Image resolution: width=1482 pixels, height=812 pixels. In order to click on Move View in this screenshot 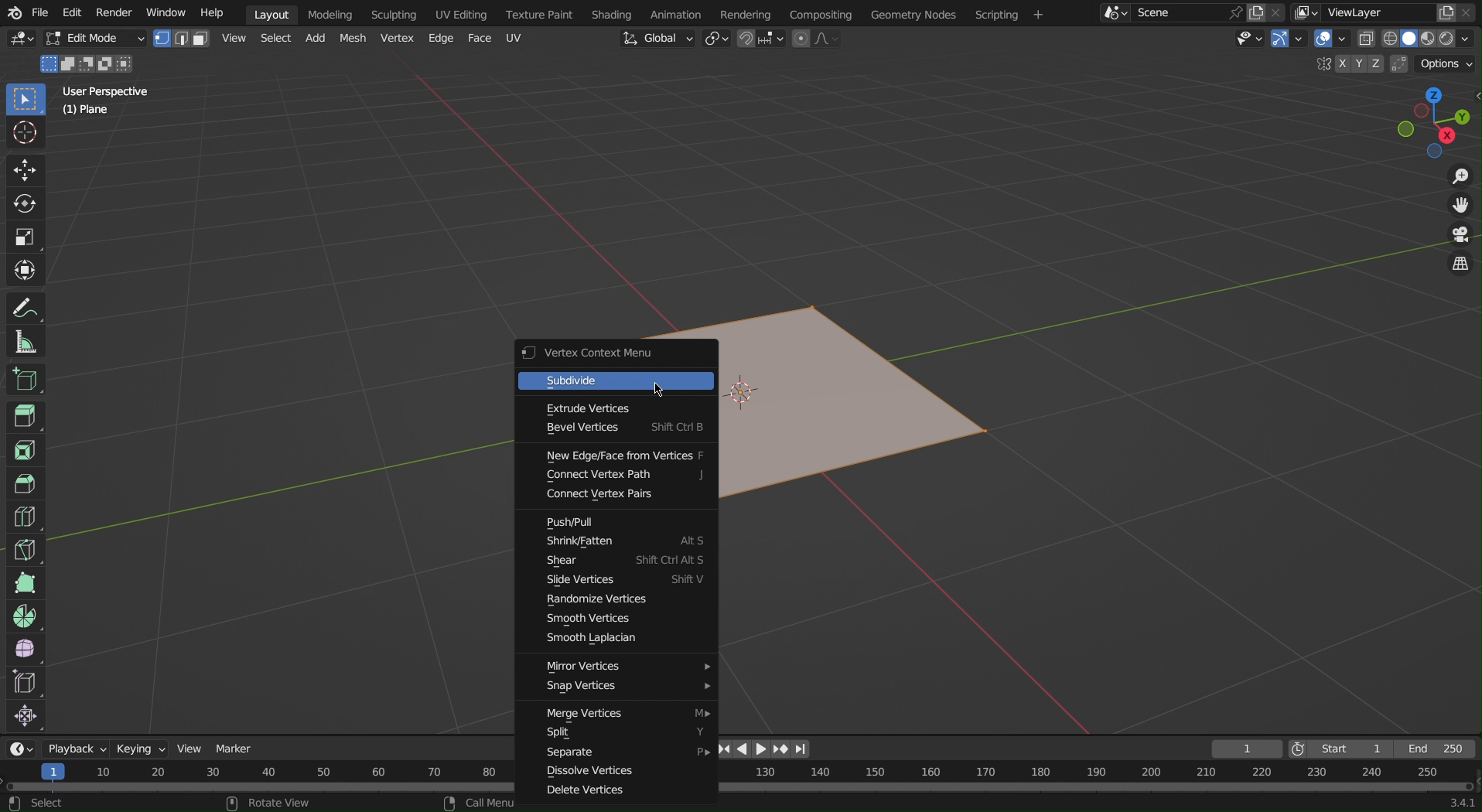, I will do `click(1462, 210)`.